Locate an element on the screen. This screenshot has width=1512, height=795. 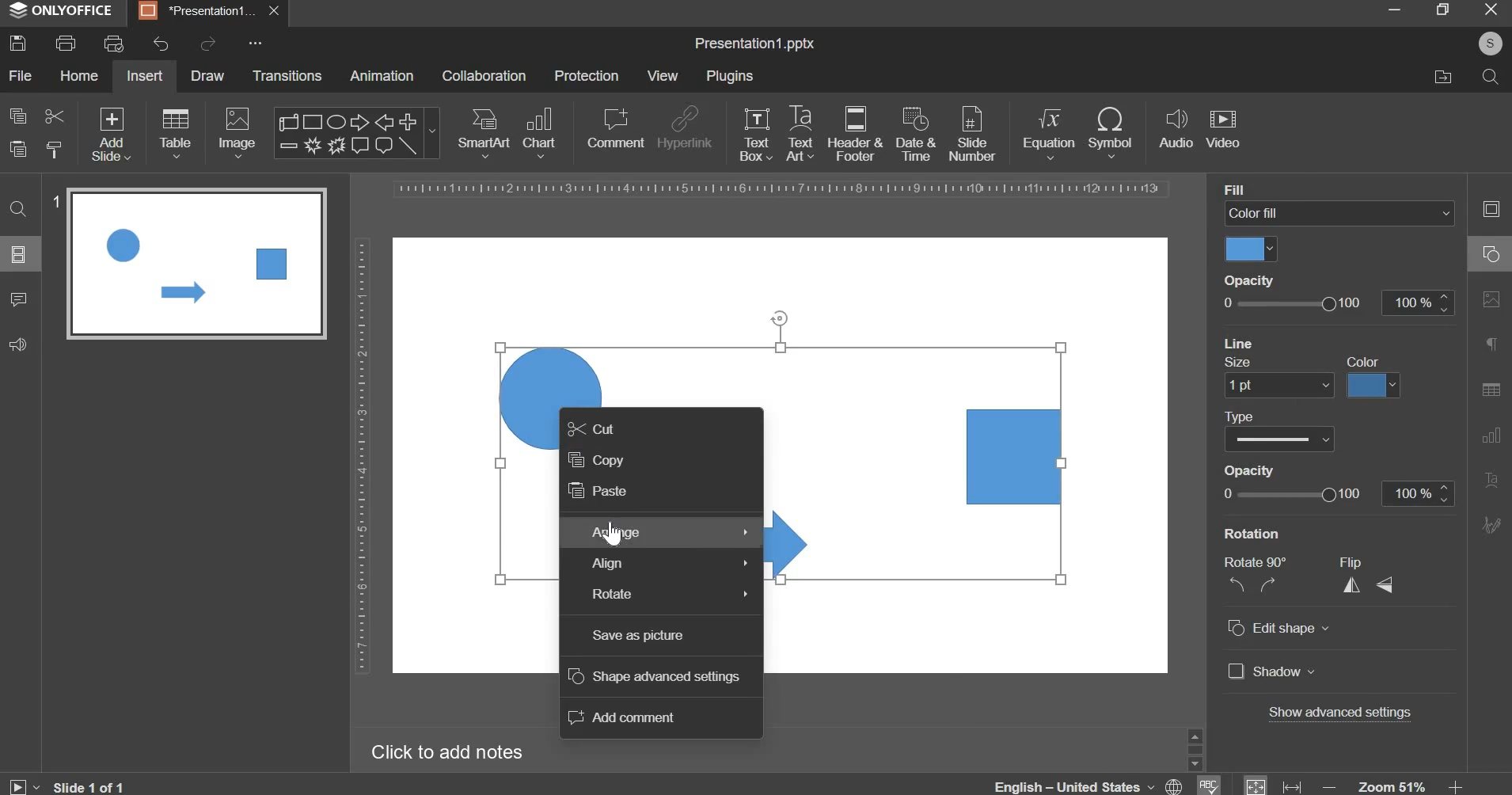
date & time is located at coordinates (916, 134).